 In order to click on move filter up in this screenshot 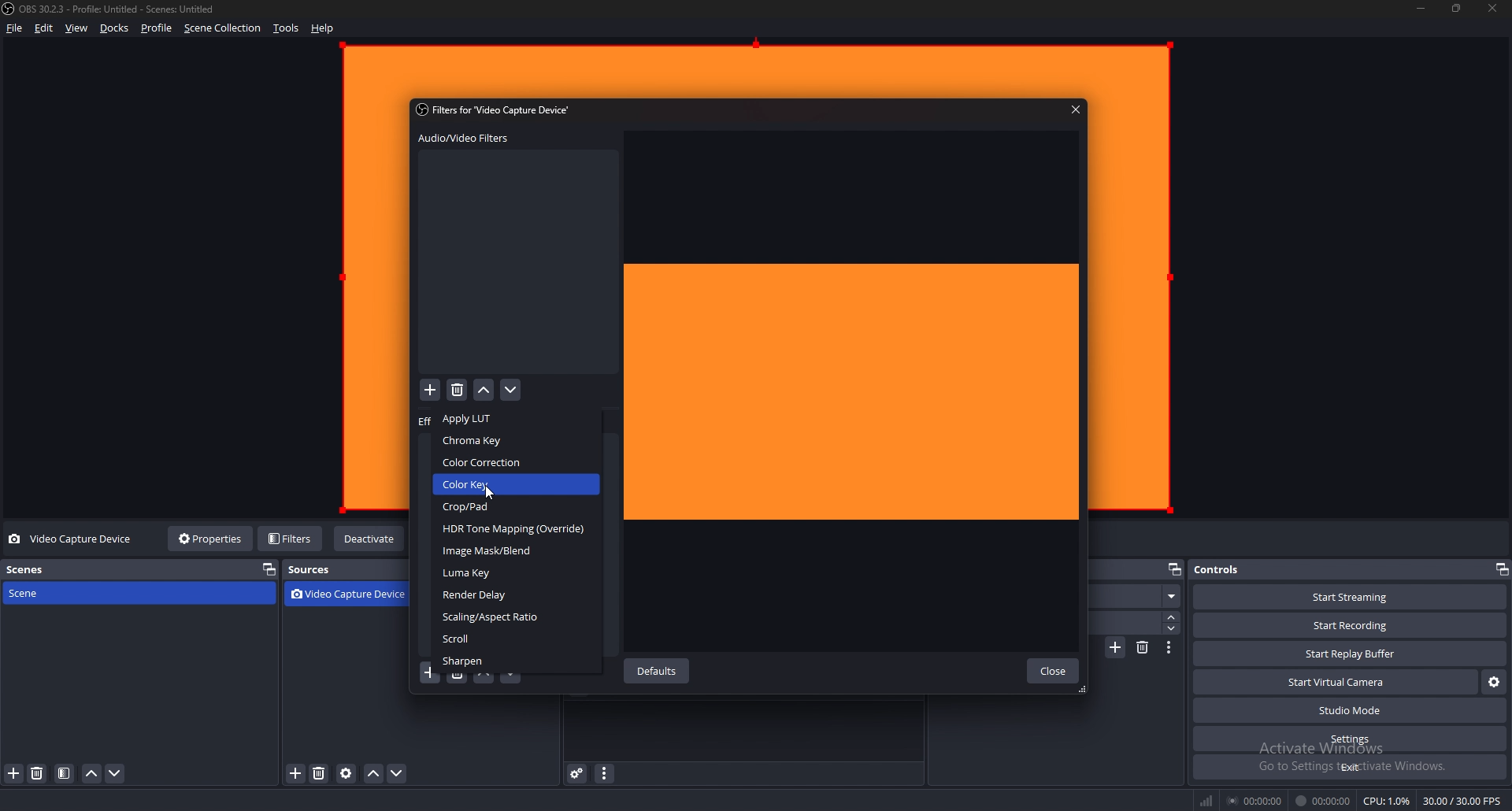, I will do `click(484, 391)`.